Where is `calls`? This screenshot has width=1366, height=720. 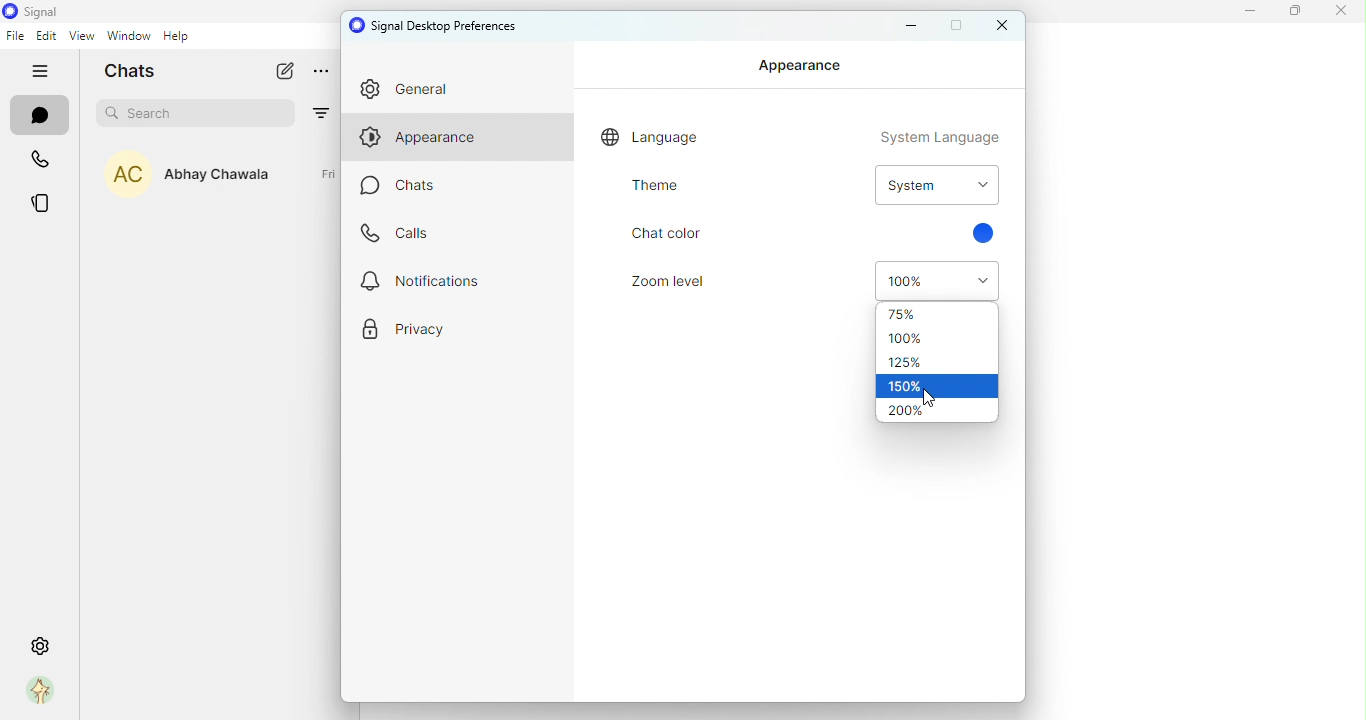
calls is located at coordinates (406, 237).